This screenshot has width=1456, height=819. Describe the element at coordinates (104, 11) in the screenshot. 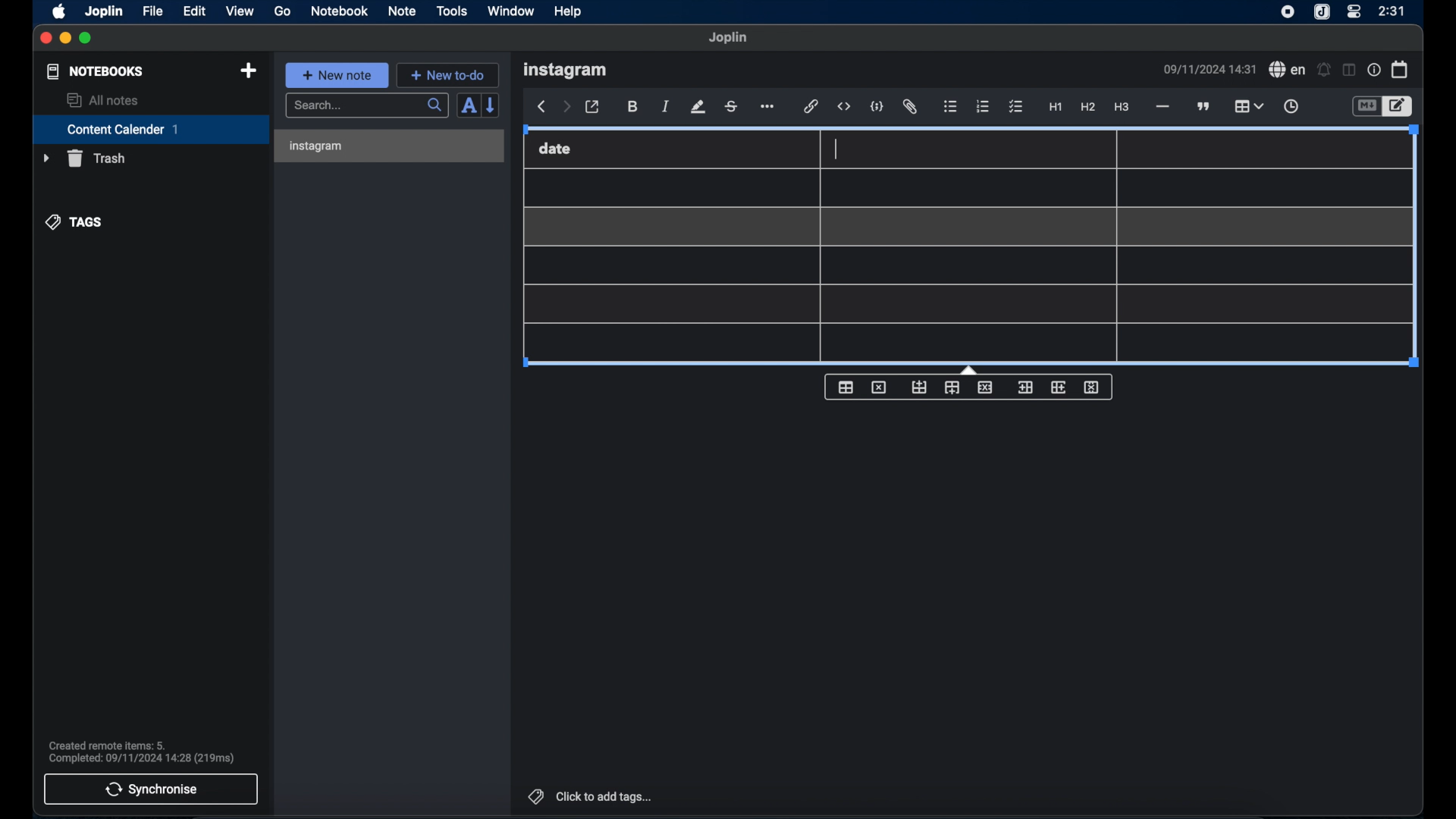

I see `joplin` at that location.